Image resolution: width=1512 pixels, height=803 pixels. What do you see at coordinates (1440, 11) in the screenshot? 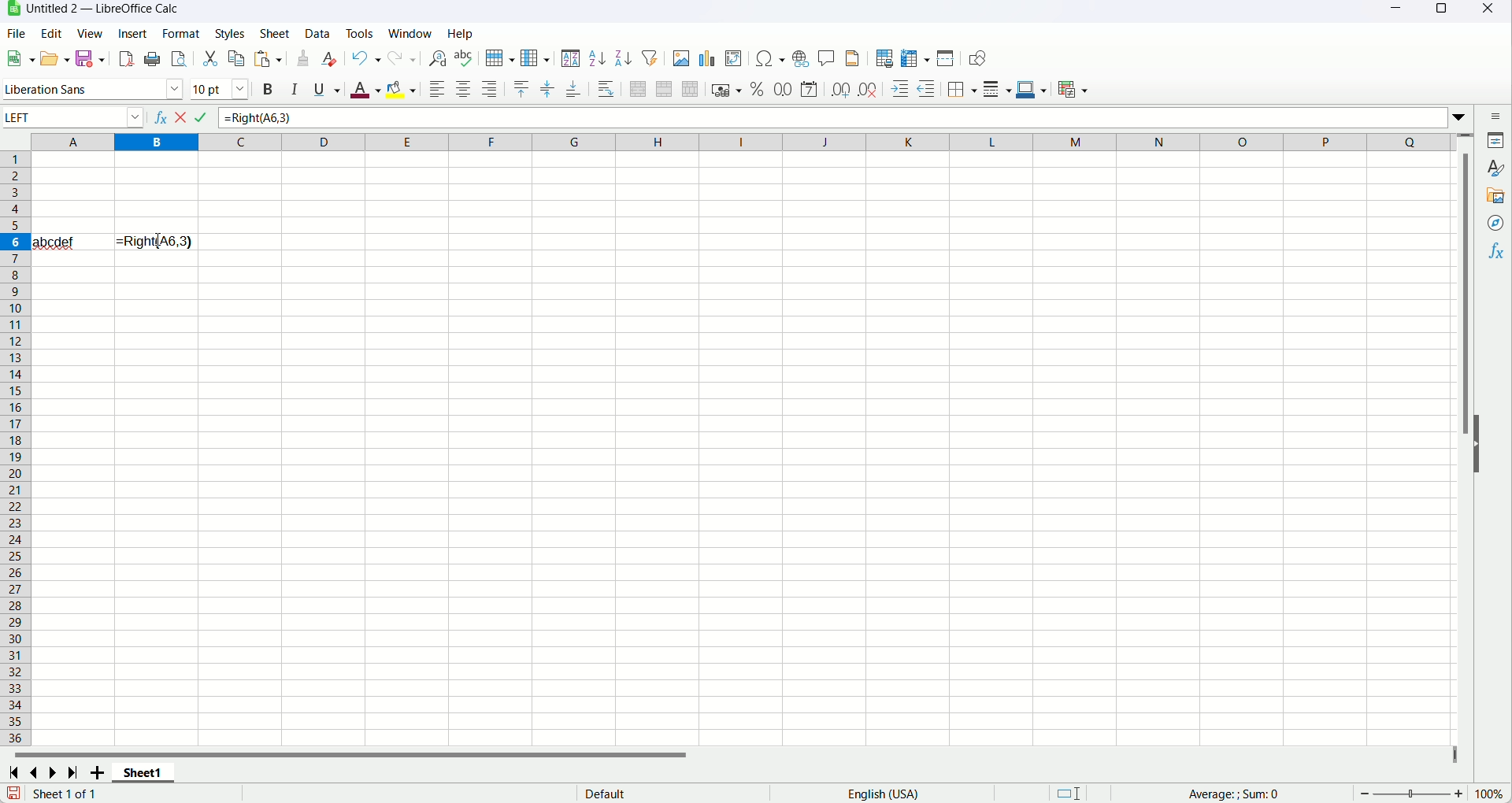
I see `maximize` at bounding box center [1440, 11].